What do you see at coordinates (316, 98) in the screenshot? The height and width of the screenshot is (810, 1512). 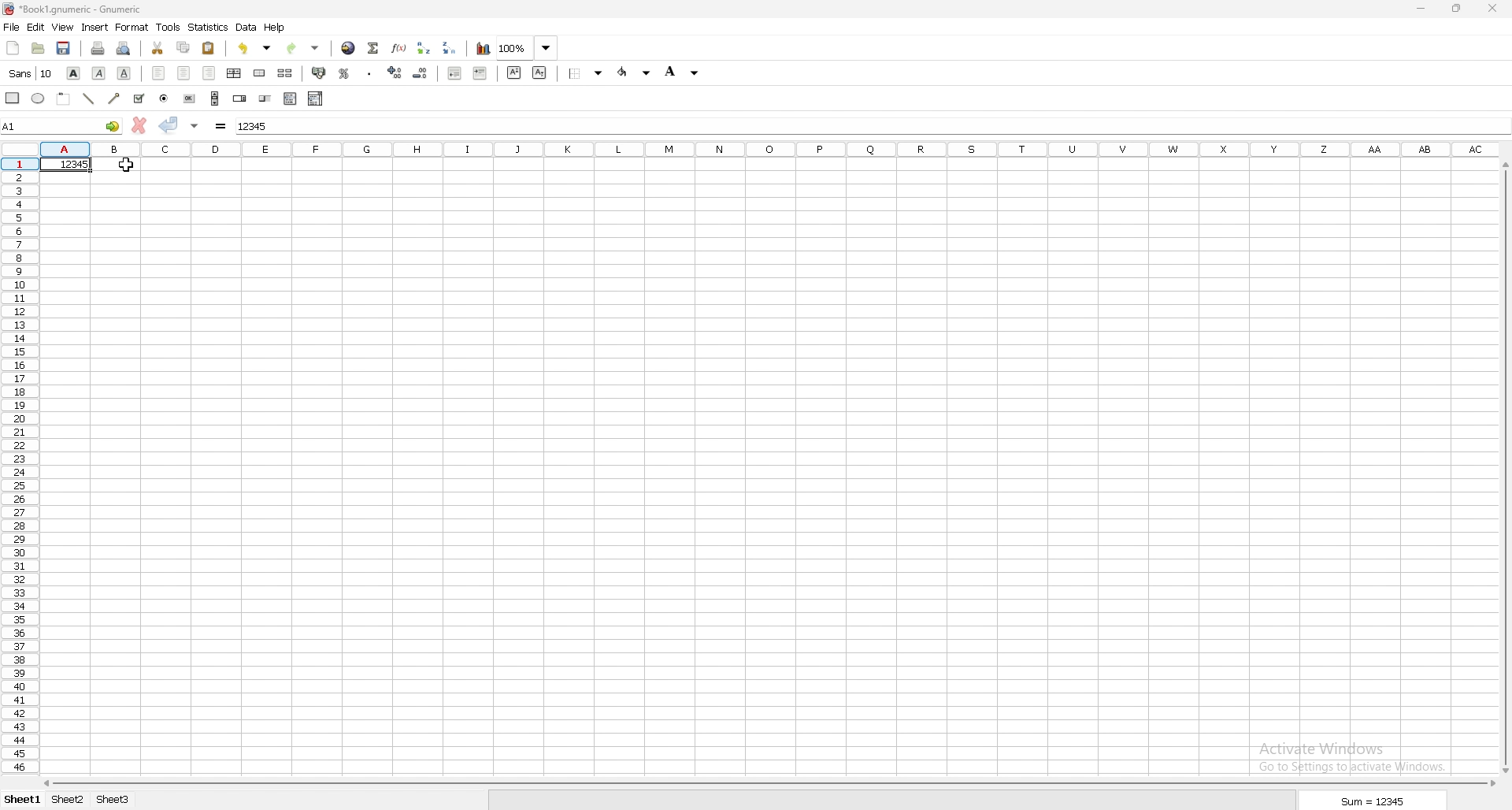 I see `combo box` at bounding box center [316, 98].